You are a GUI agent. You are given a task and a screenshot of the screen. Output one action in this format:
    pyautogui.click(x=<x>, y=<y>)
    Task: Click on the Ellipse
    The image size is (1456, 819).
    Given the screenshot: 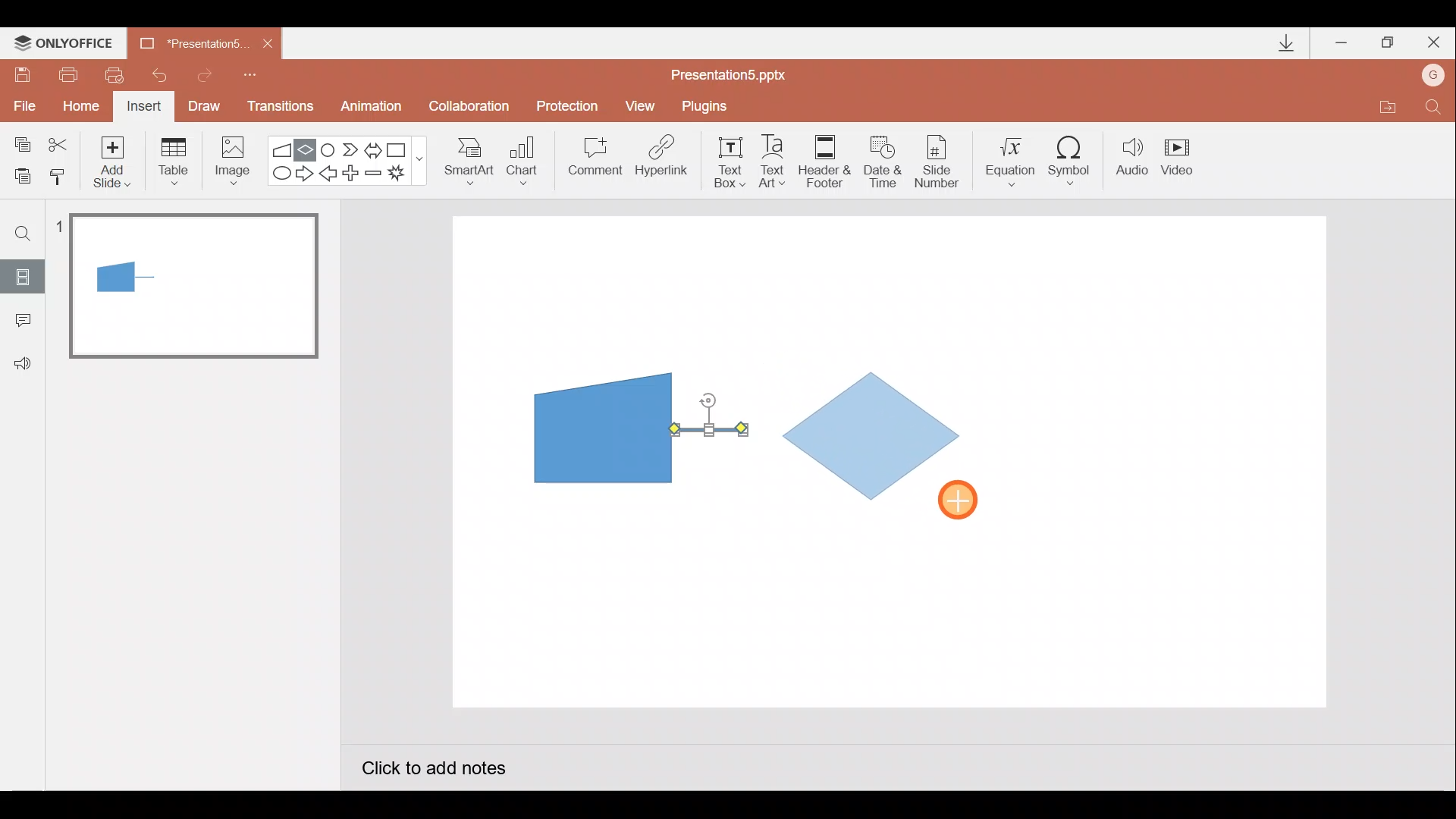 What is the action you would take?
    pyautogui.click(x=278, y=174)
    